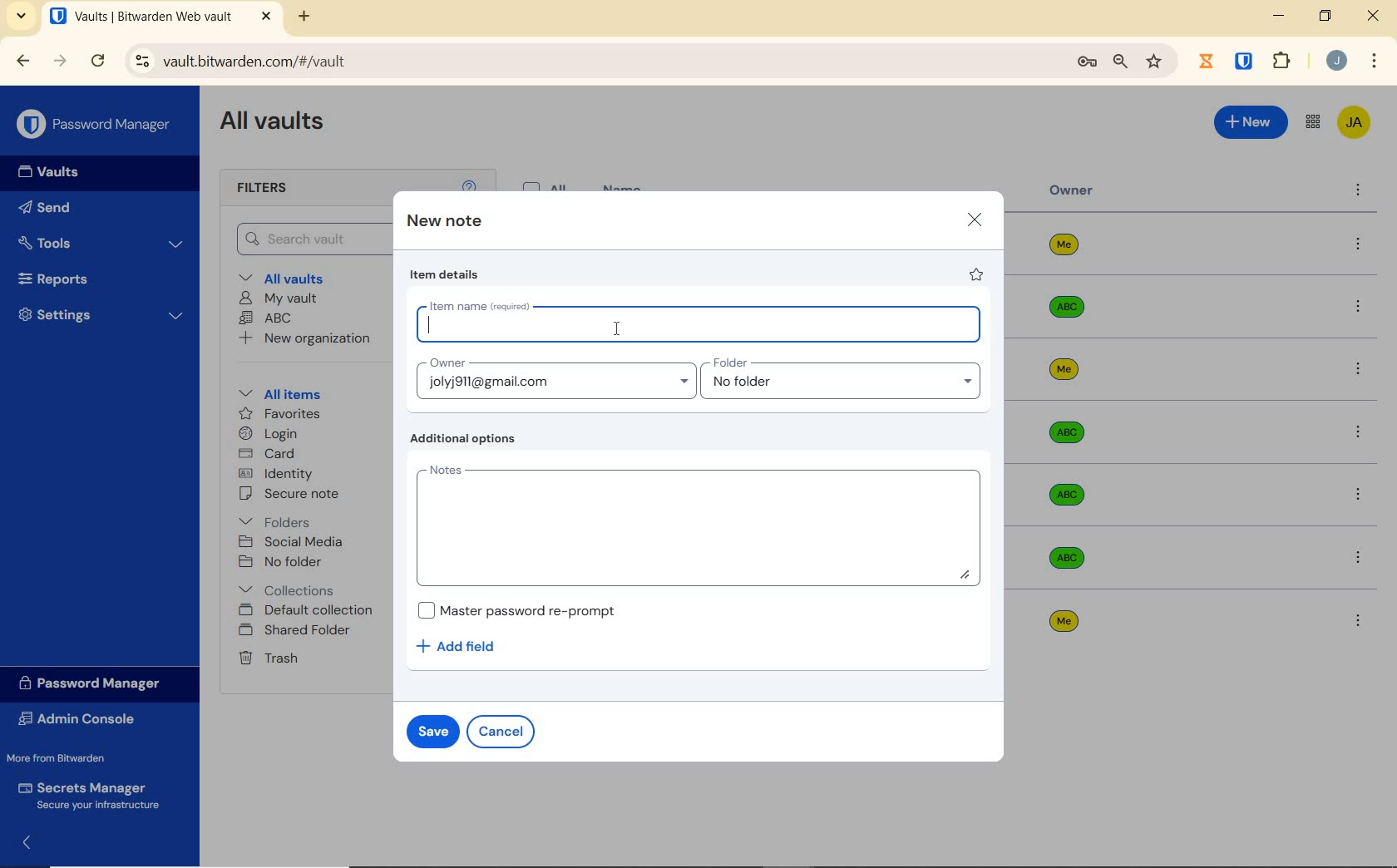 The image size is (1397, 868). I want to click on Send, so click(76, 210).